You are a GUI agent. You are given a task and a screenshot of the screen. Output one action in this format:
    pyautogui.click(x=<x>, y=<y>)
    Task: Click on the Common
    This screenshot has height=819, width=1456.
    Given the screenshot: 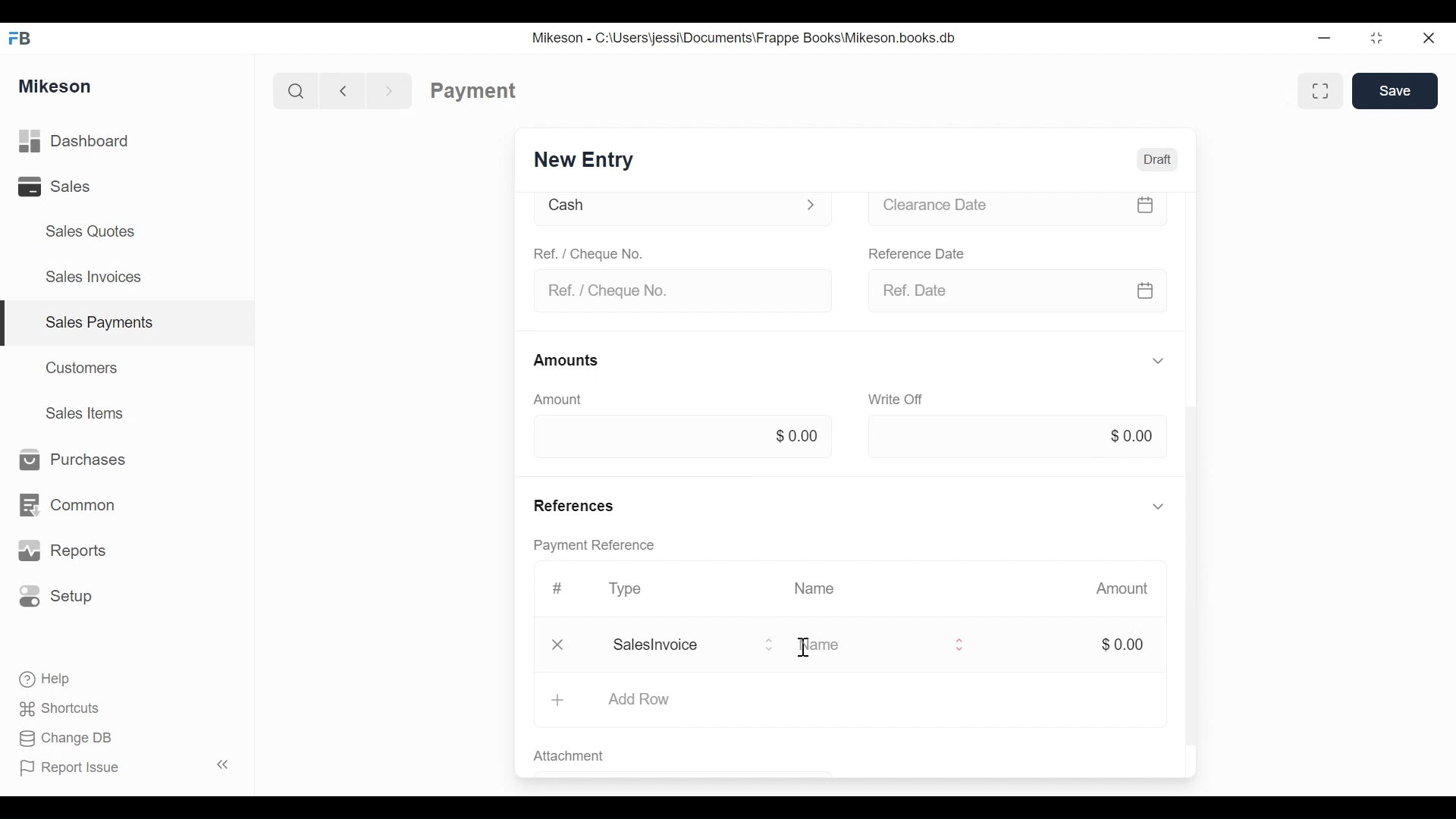 What is the action you would take?
    pyautogui.click(x=75, y=497)
    